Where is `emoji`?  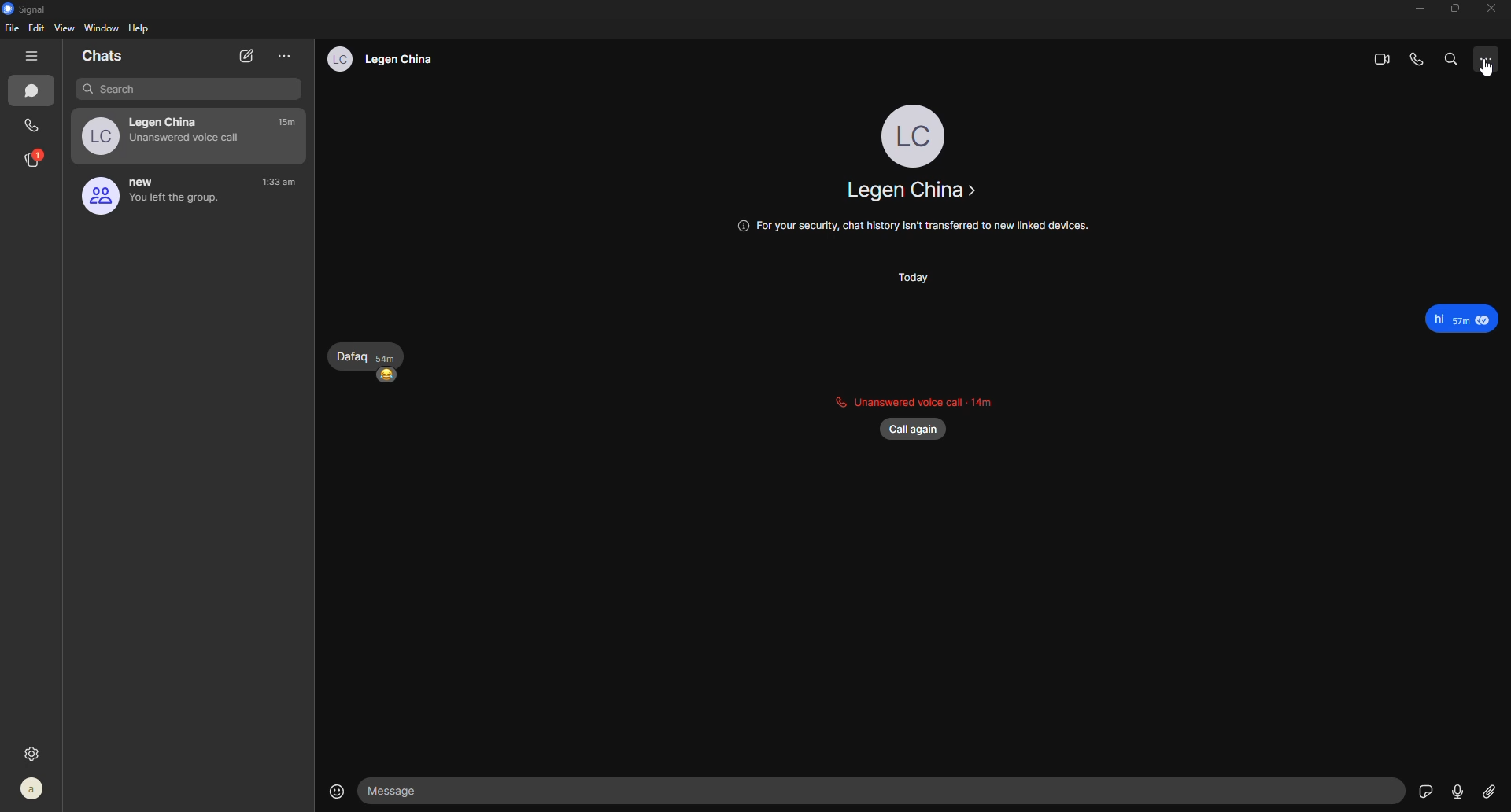 emoji is located at coordinates (328, 789).